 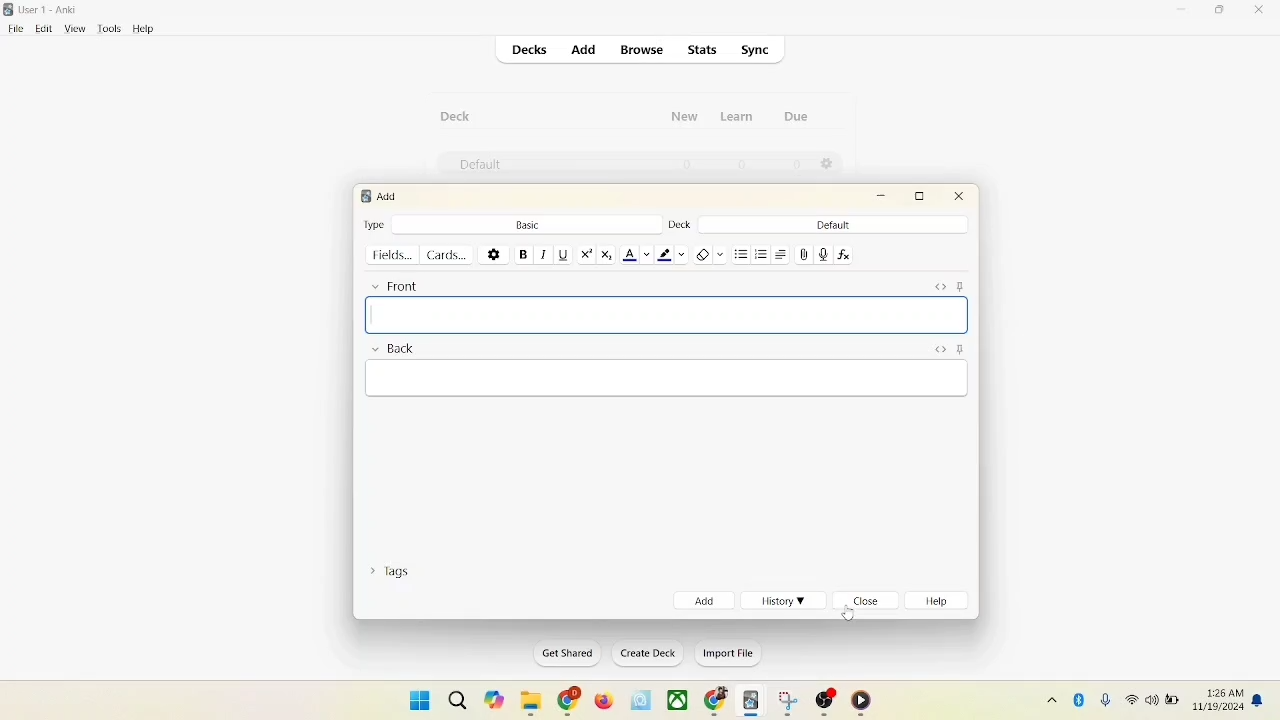 I want to click on sticky, so click(x=959, y=350).